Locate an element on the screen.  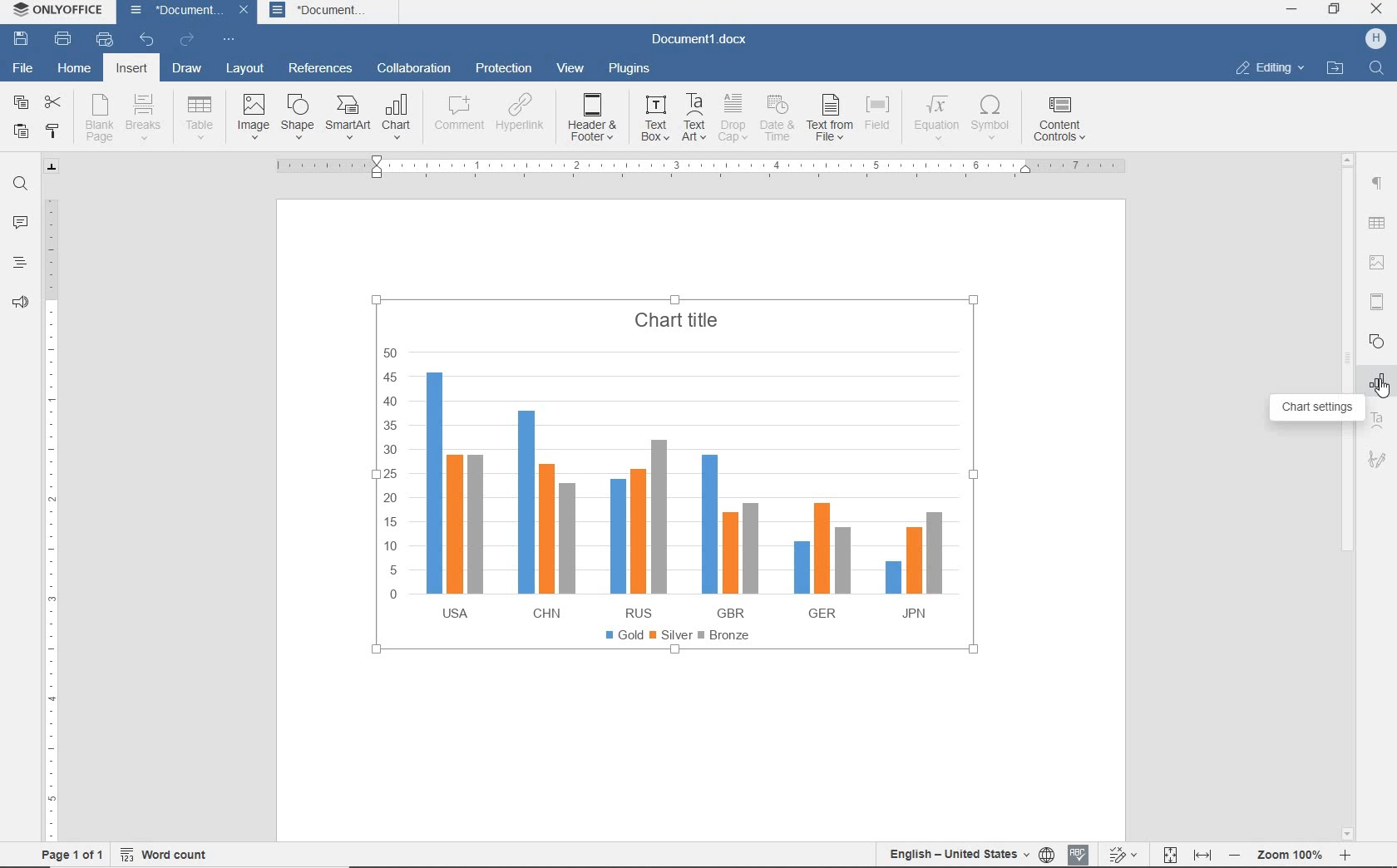
comments is located at coordinates (21, 224).